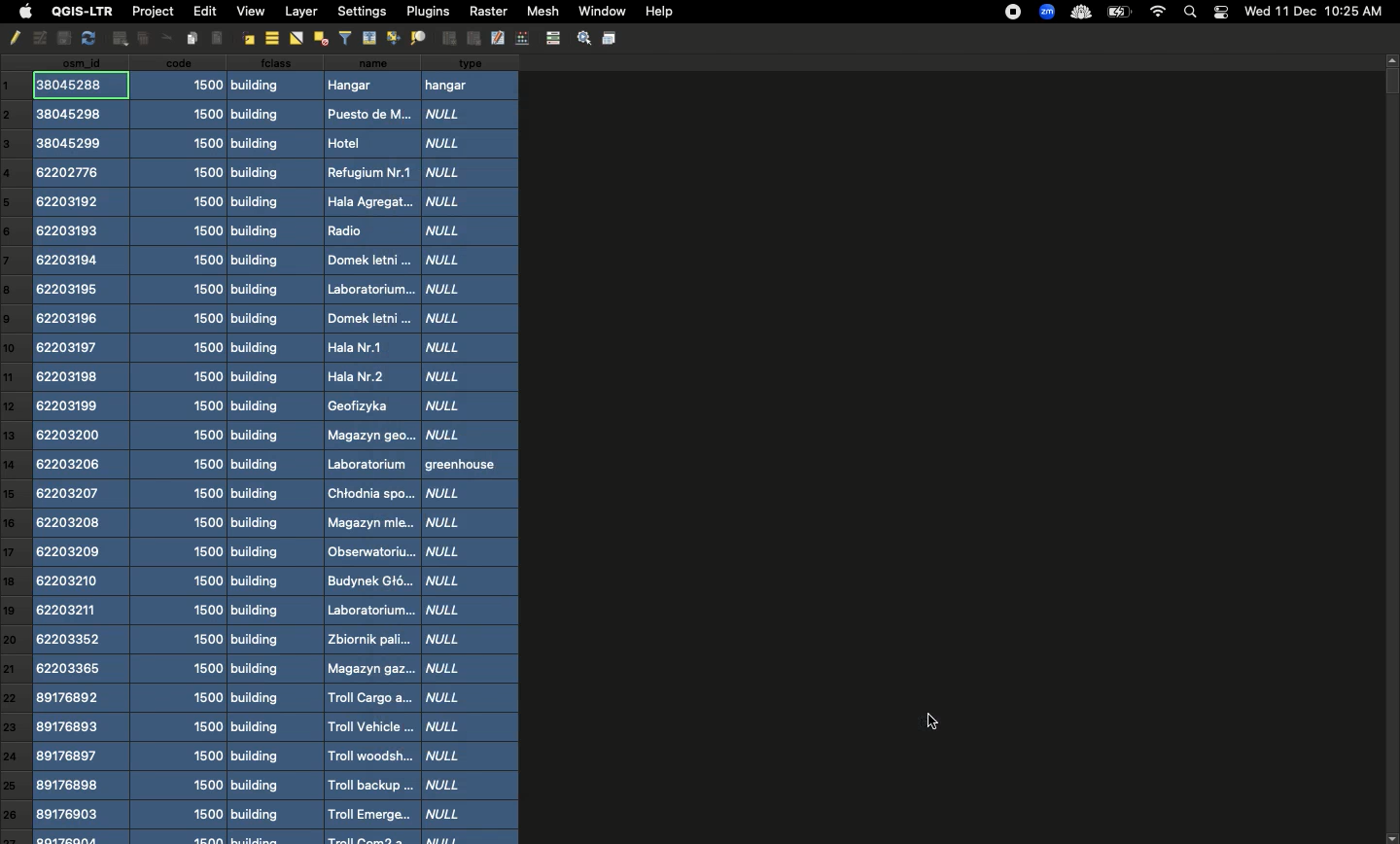 The height and width of the screenshot is (844, 1400). Describe the element at coordinates (426, 11) in the screenshot. I see `Plugins` at that location.